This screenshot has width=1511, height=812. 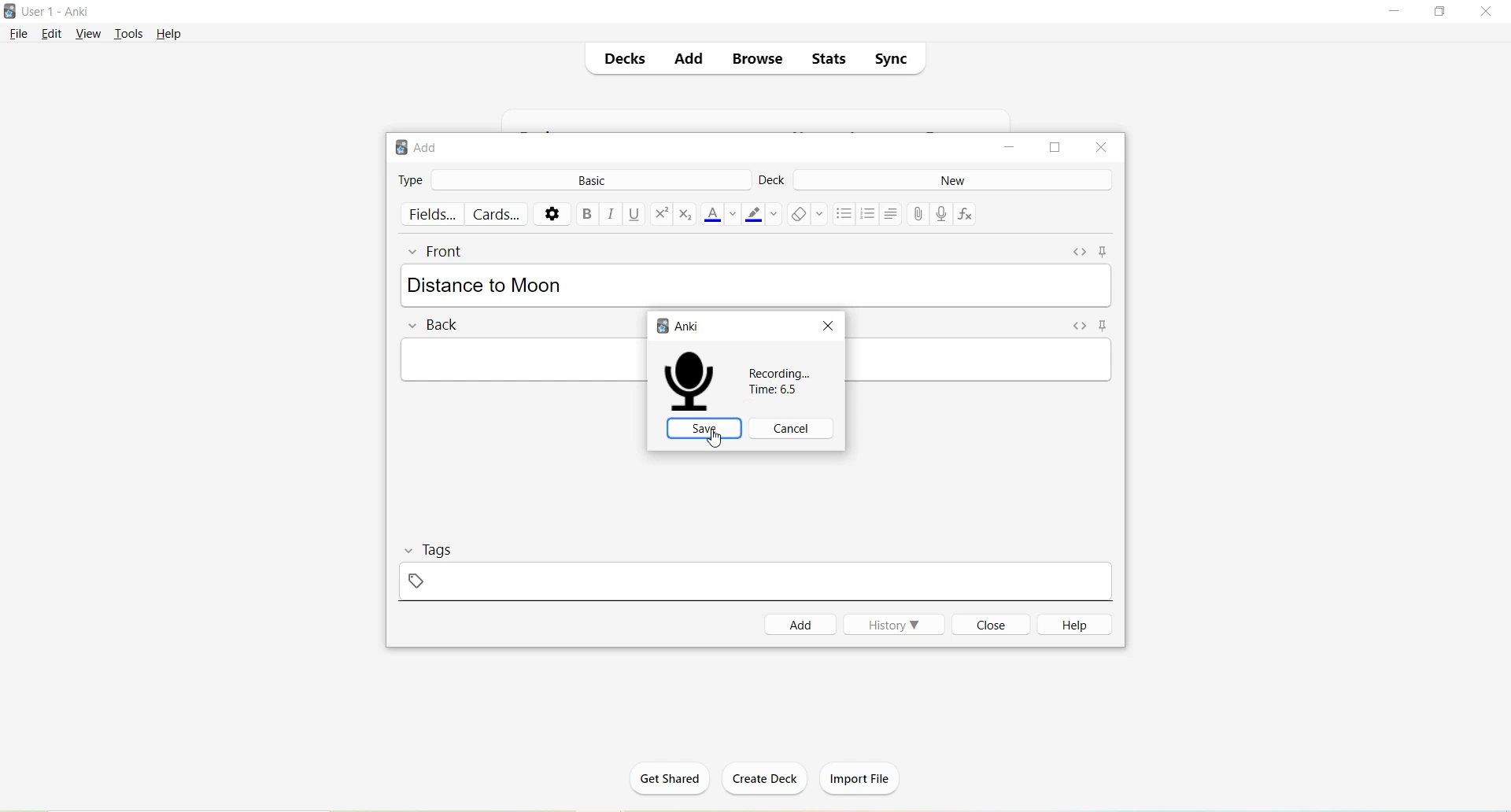 What do you see at coordinates (773, 183) in the screenshot?
I see `Deck` at bounding box center [773, 183].